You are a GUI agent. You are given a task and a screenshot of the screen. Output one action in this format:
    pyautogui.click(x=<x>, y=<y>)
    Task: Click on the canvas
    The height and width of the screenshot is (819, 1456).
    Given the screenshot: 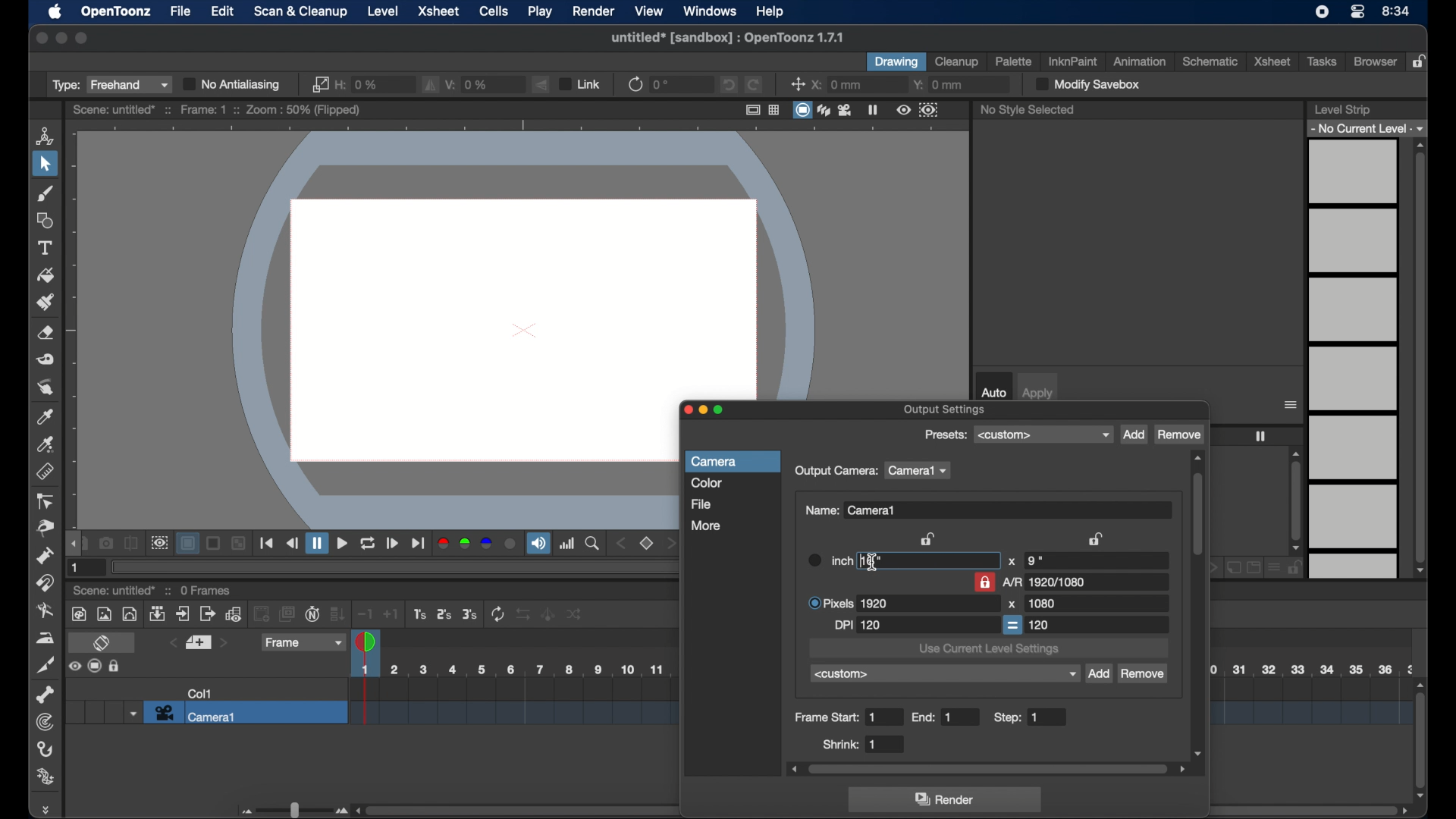 What is the action you would take?
    pyautogui.click(x=519, y=264)
    